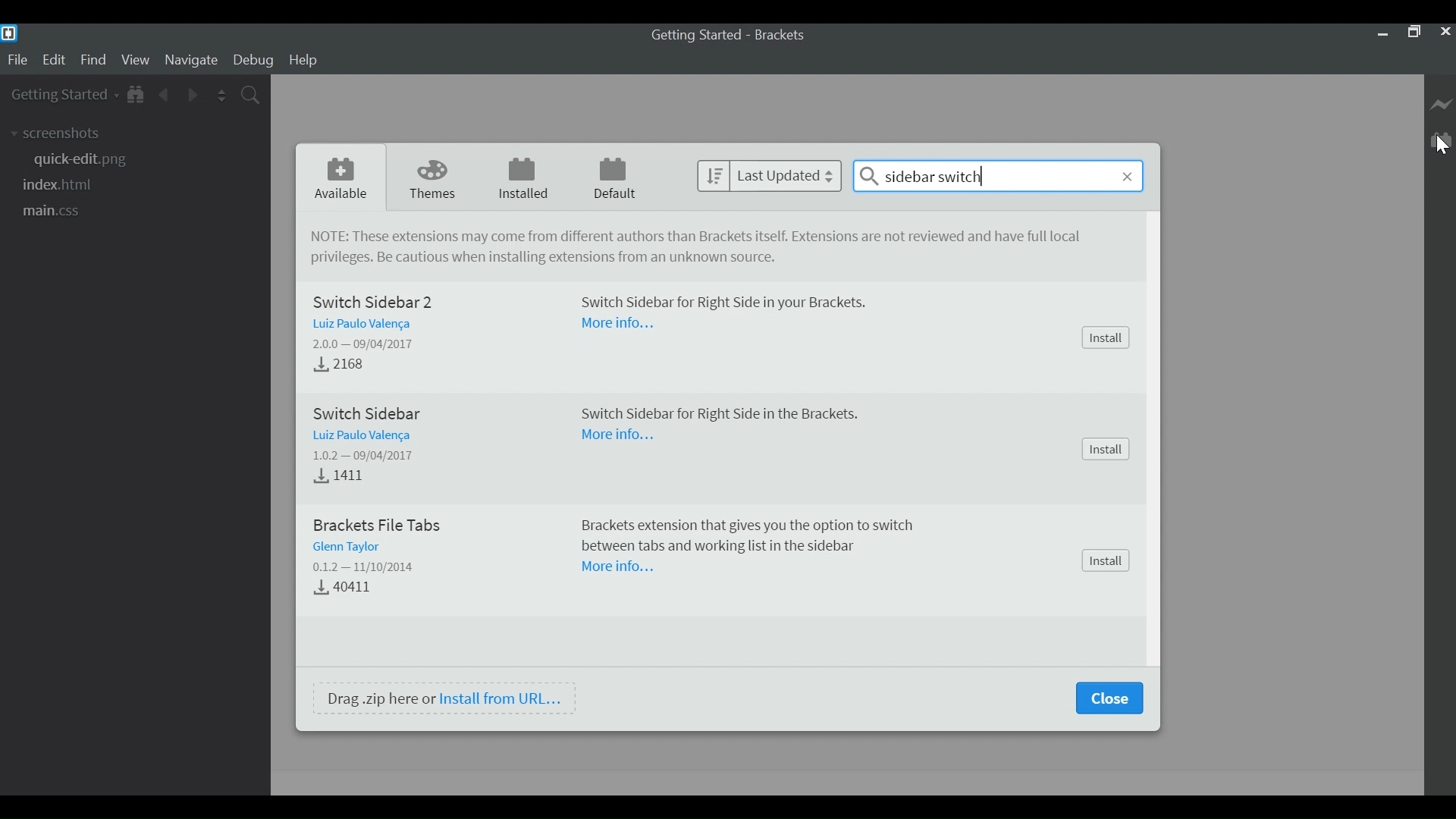  What do you see at coordinates (999, 176) in the screenshot?
I see `sidebar switch` at bounding box center [999, 176].